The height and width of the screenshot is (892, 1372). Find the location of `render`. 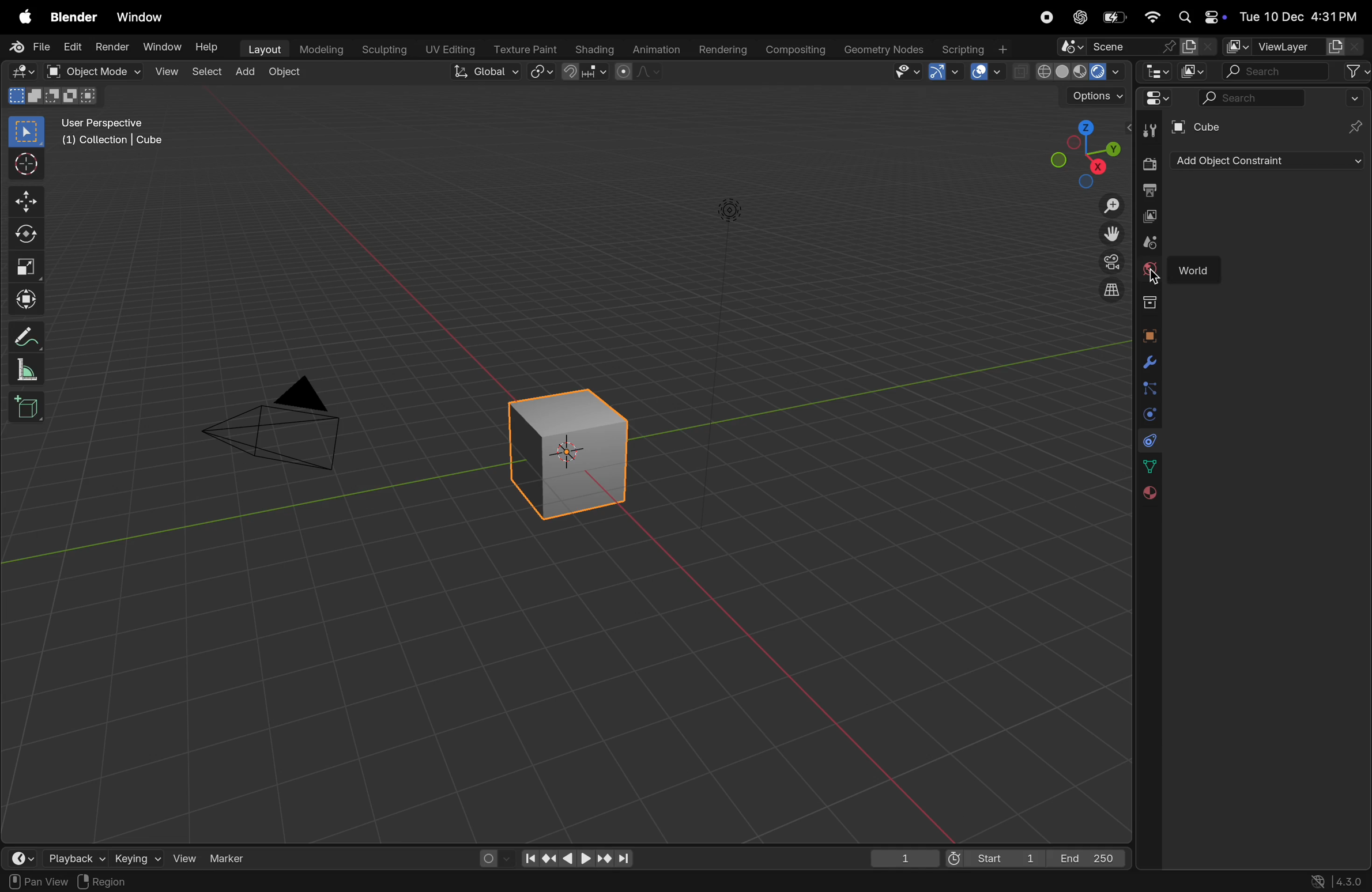

render is located at coordinates (112, 48).